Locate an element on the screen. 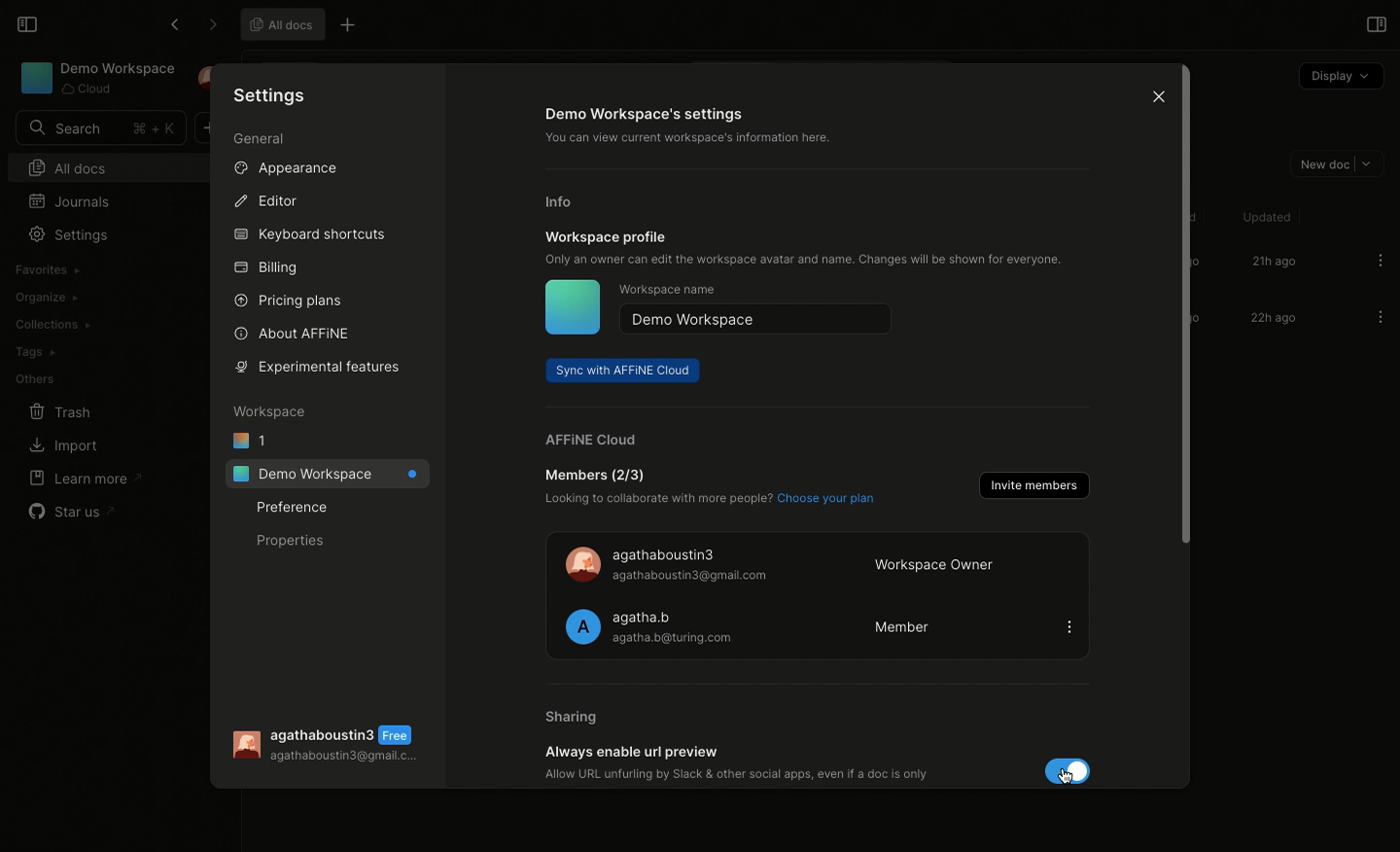 The width and height of the screenshot is (1400, 852). Create workspace is located at coordinates (95, 296).